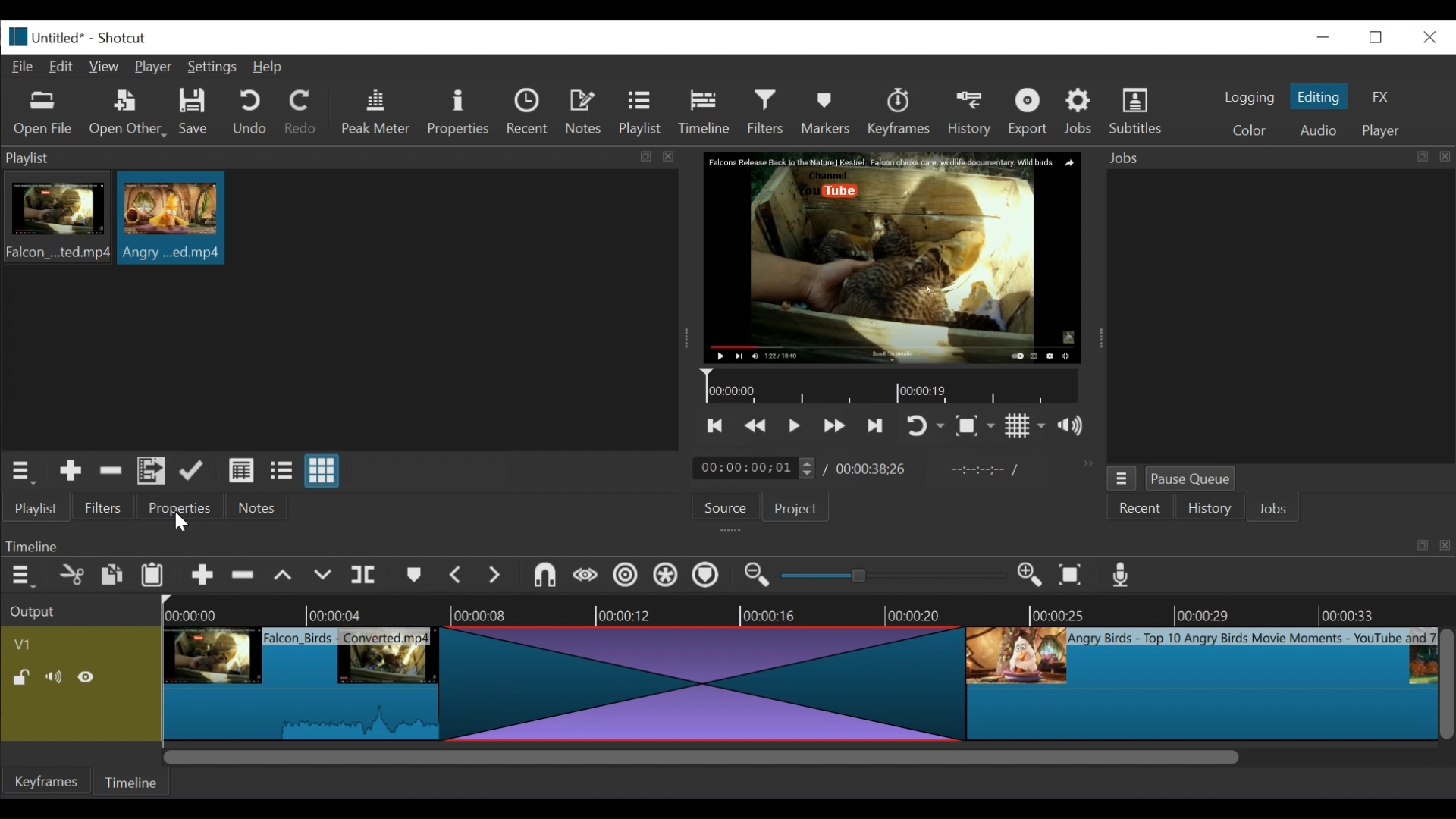 The height and width of the screenshot is (819, 1456). I want to click on cut, so click(71, 576).